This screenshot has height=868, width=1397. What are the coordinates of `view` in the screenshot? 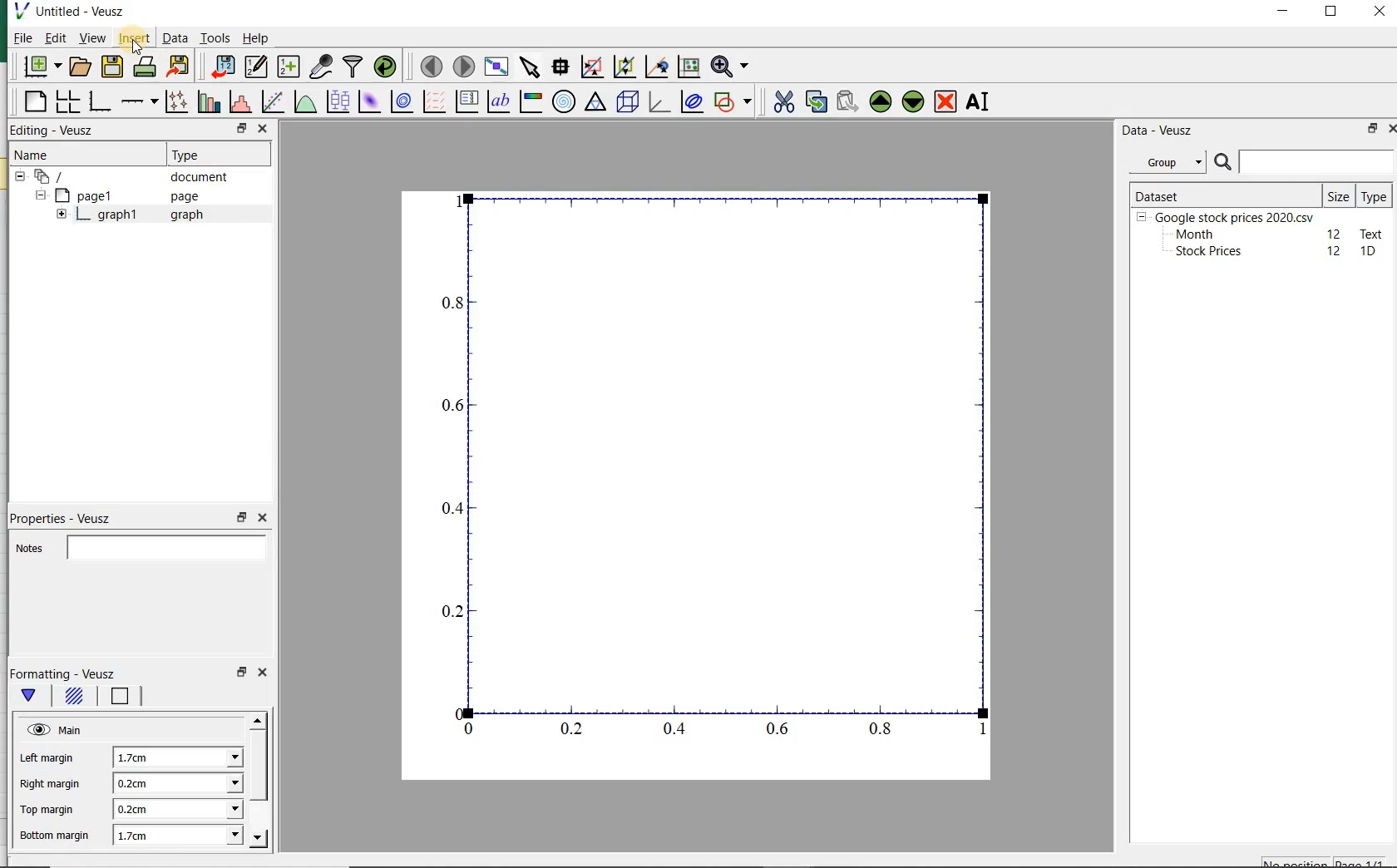 It's located at (92, 39).